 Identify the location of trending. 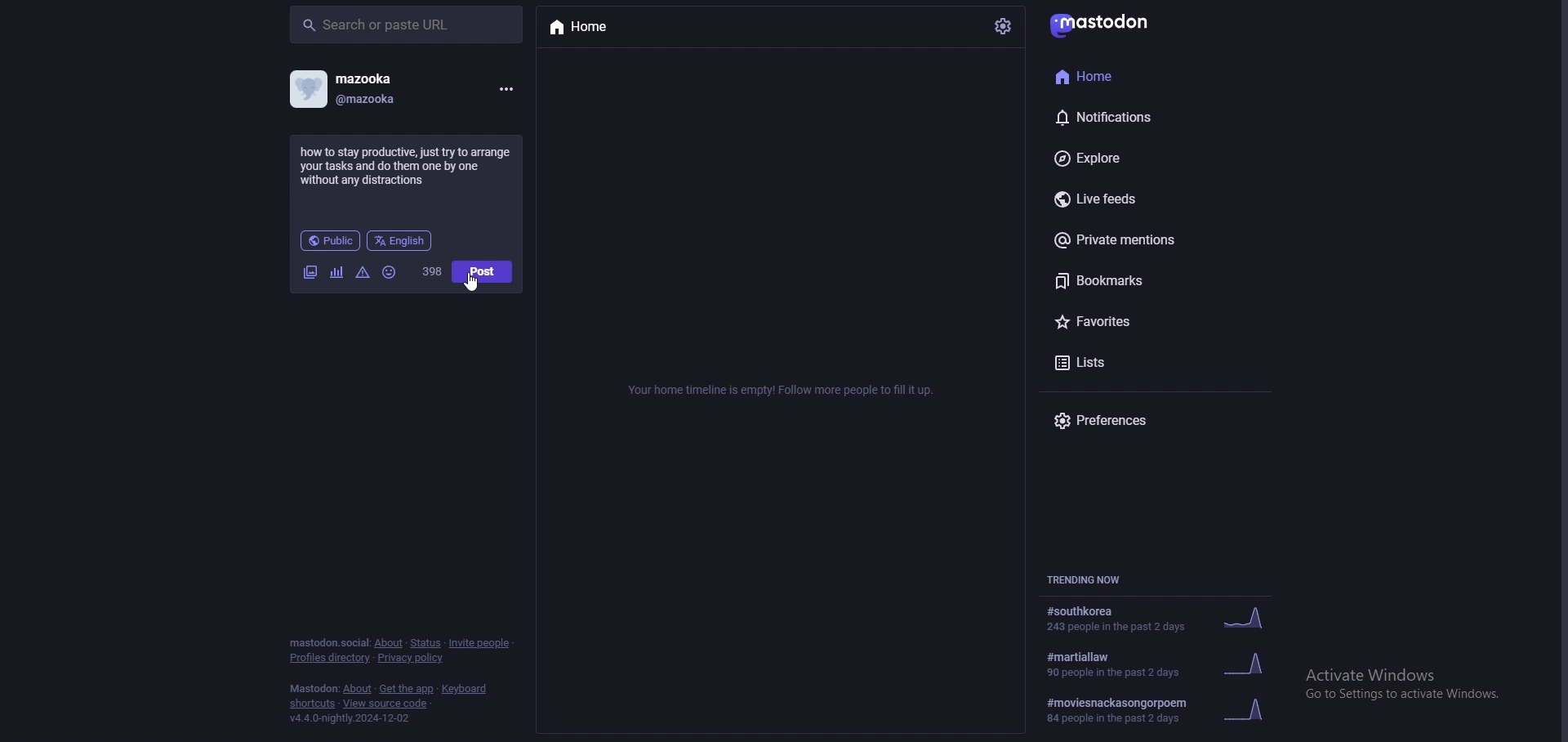
(1165, 617).